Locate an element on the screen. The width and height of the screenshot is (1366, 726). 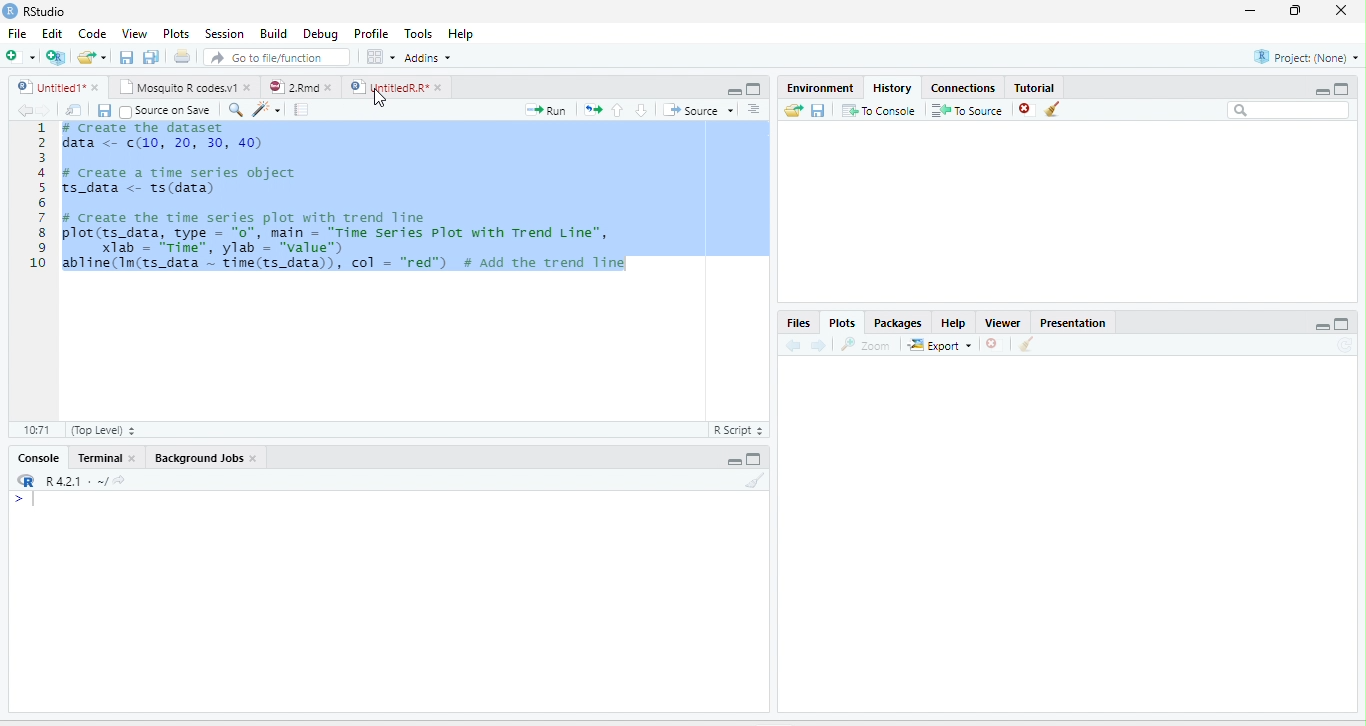
Connections is located at coordinates (964, 86).